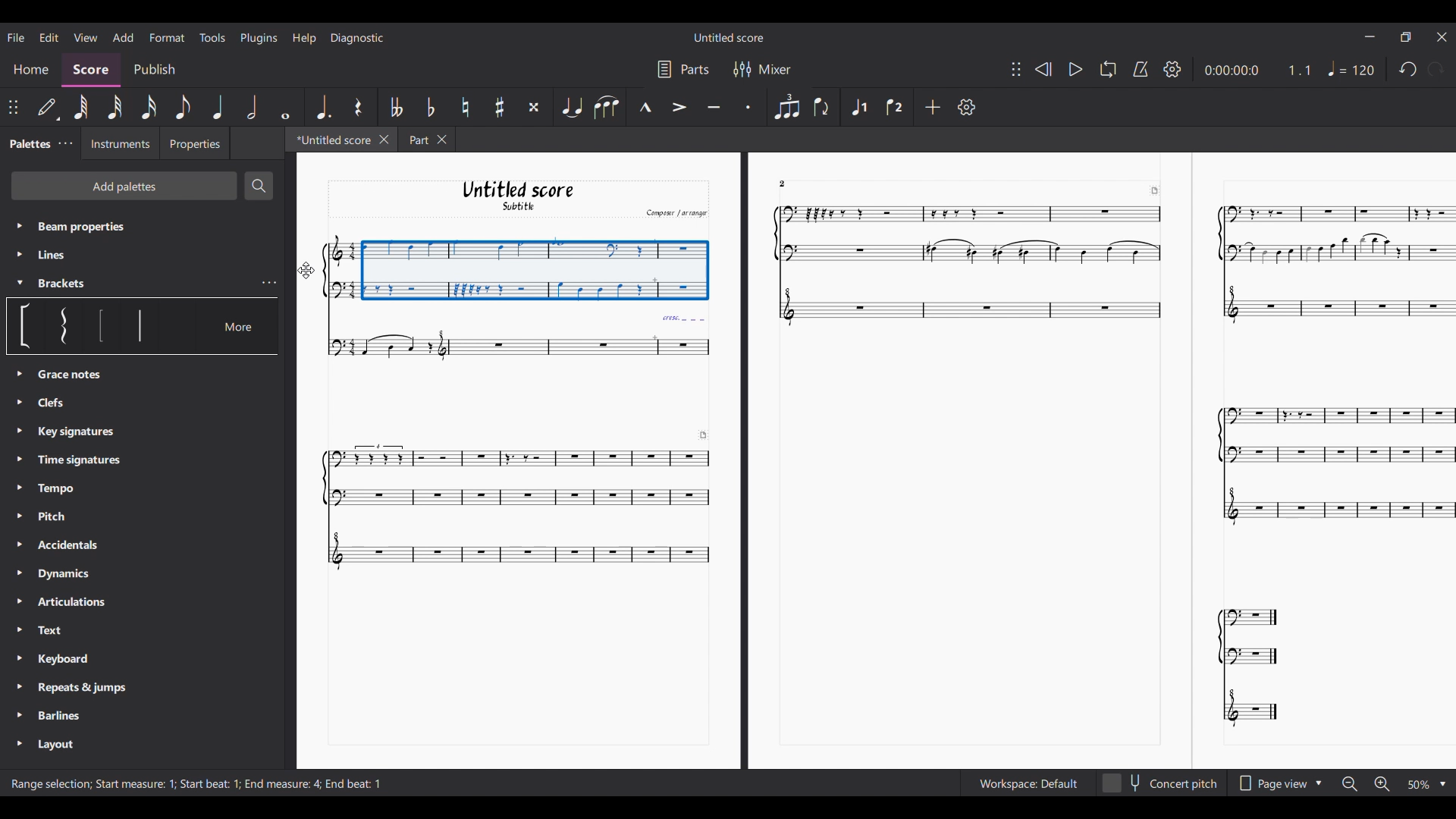  I want to click on Toggle sharp, so click(500, 107).